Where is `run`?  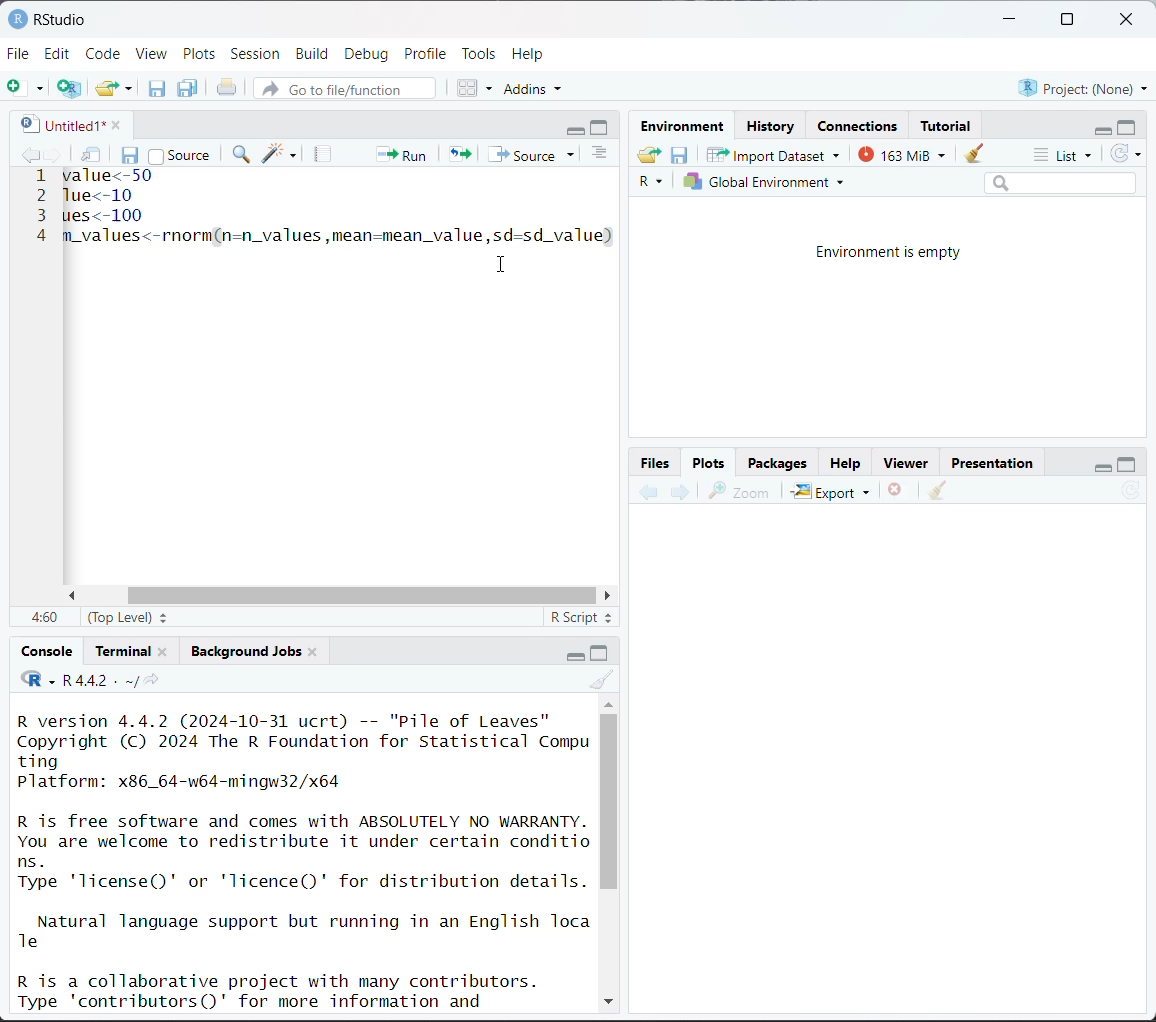
run is located at coordinates (399, 153).